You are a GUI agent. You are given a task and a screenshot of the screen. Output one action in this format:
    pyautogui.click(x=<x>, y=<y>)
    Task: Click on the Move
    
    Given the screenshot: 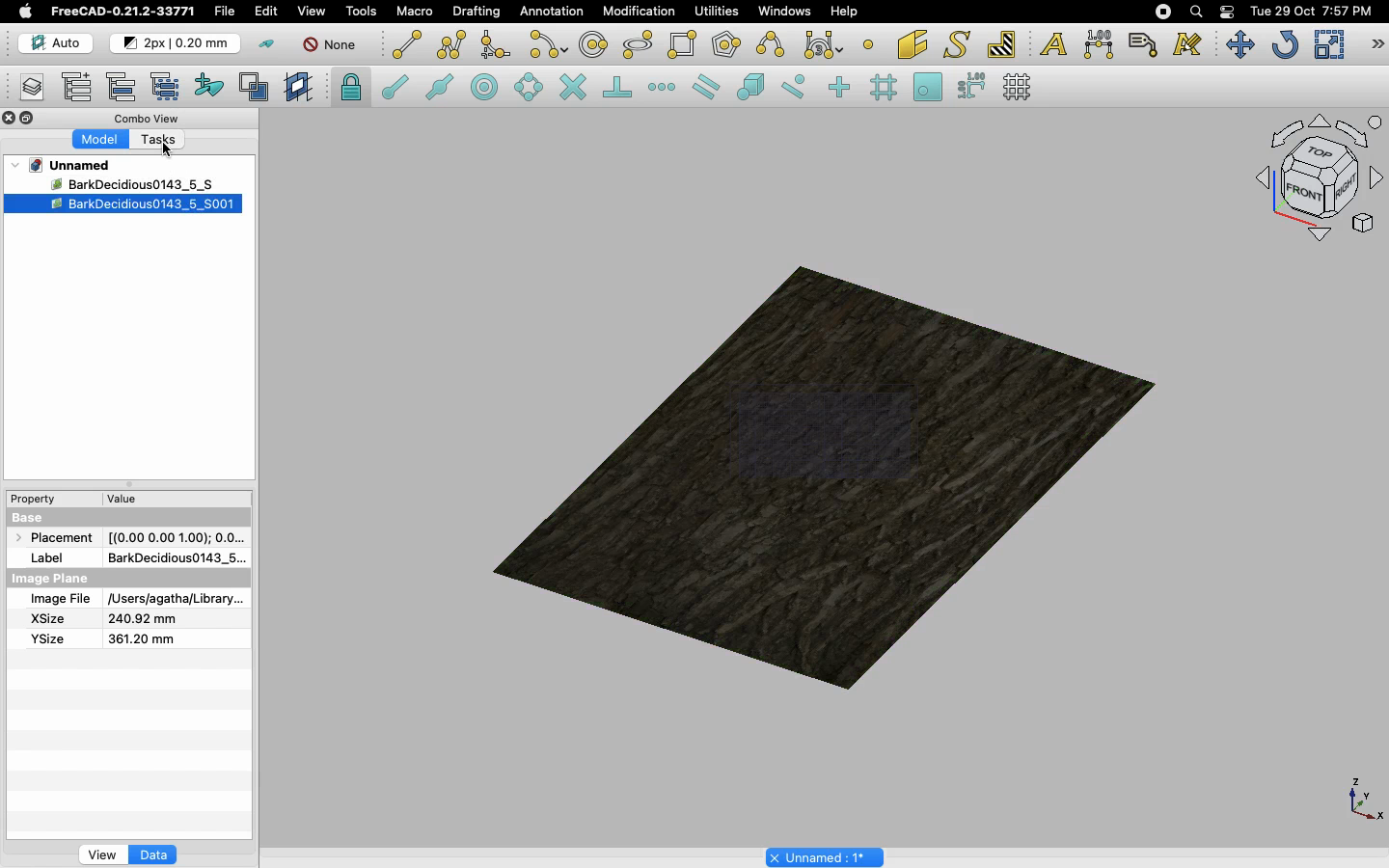 What is the action you would take?
    pyautogui.click(x=1239, y=44)
    